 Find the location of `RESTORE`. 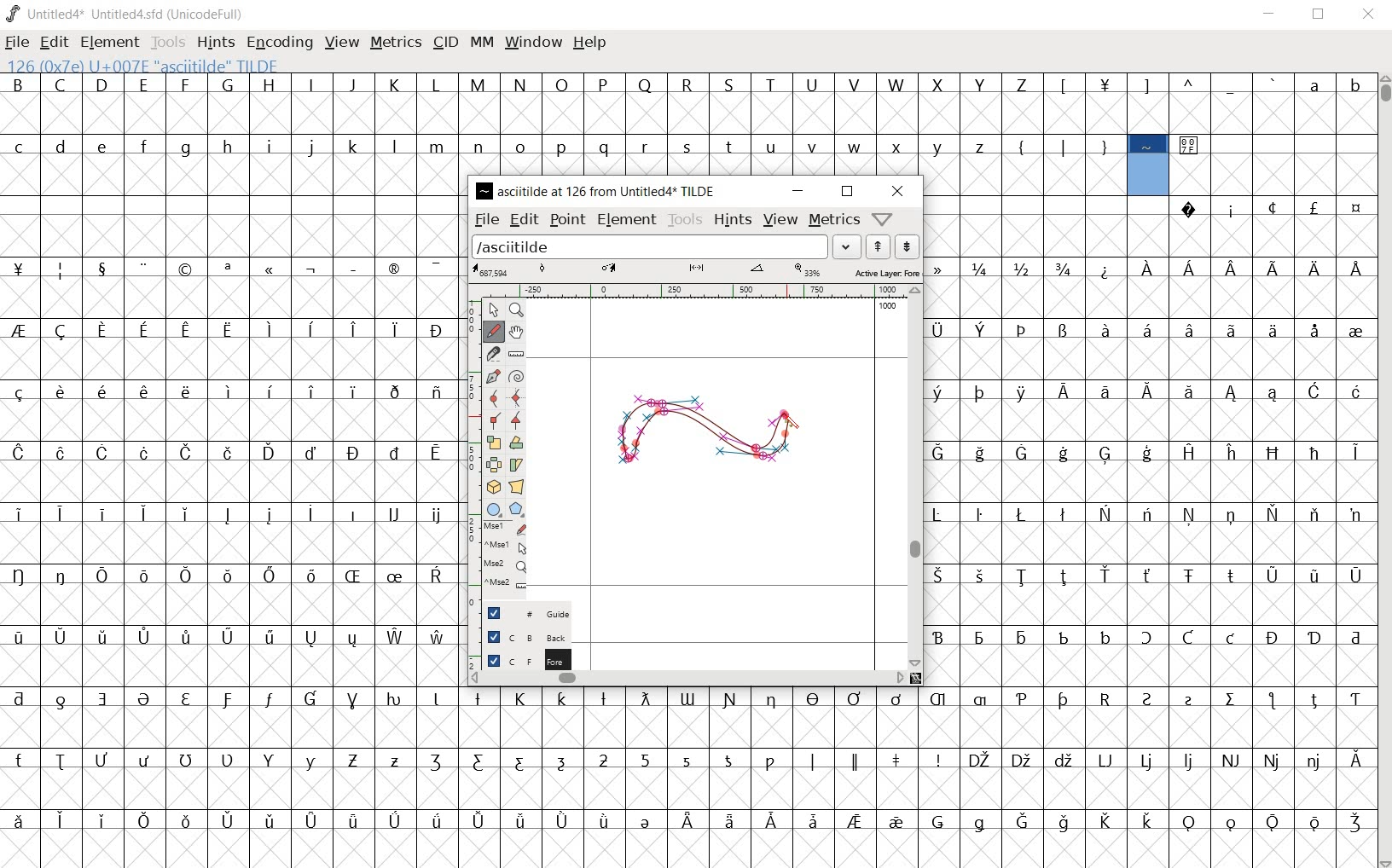

RESTORE is located at coordinates (1322, 15).